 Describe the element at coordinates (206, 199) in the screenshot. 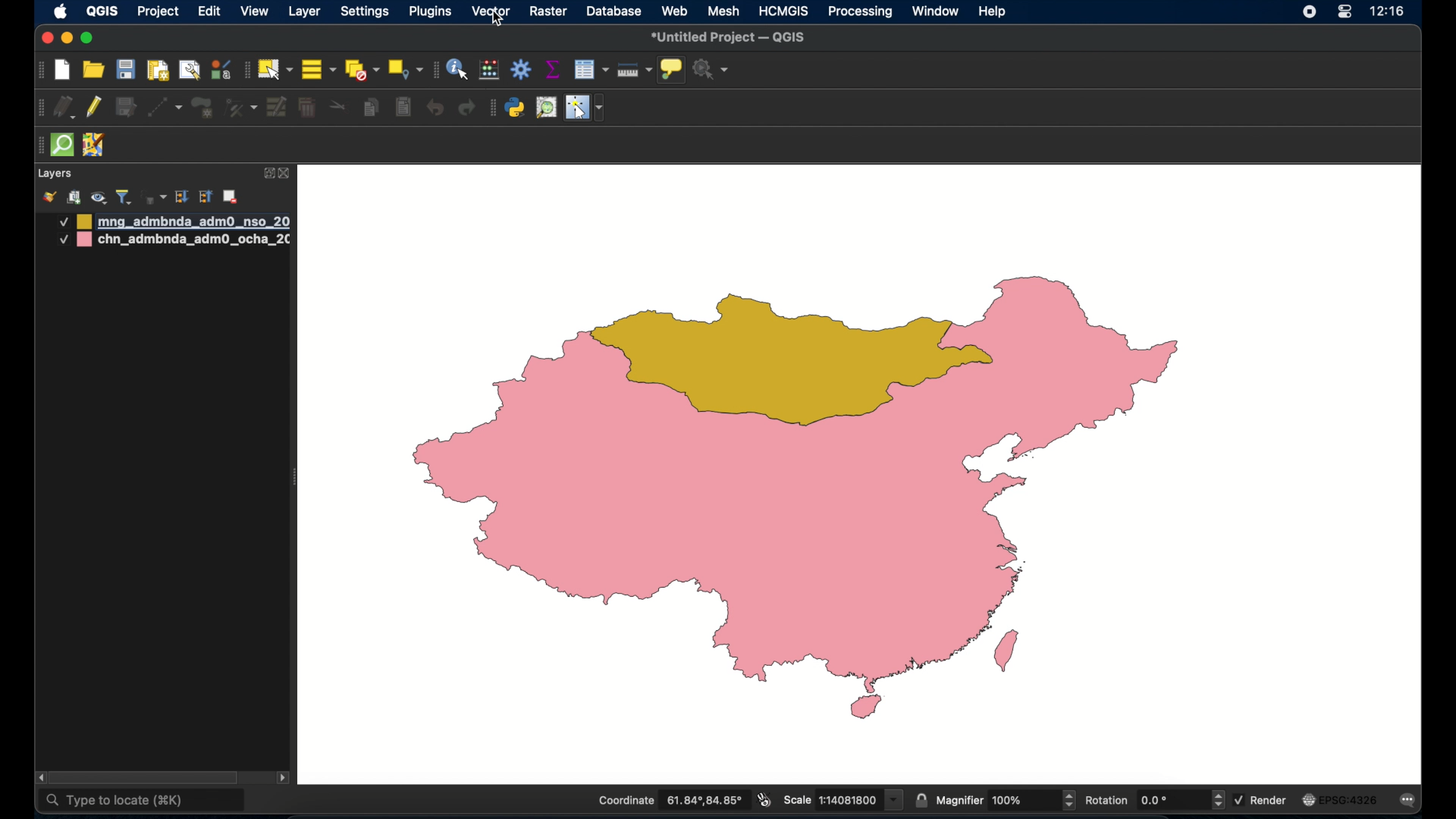

I see `collapse all ` at that location.